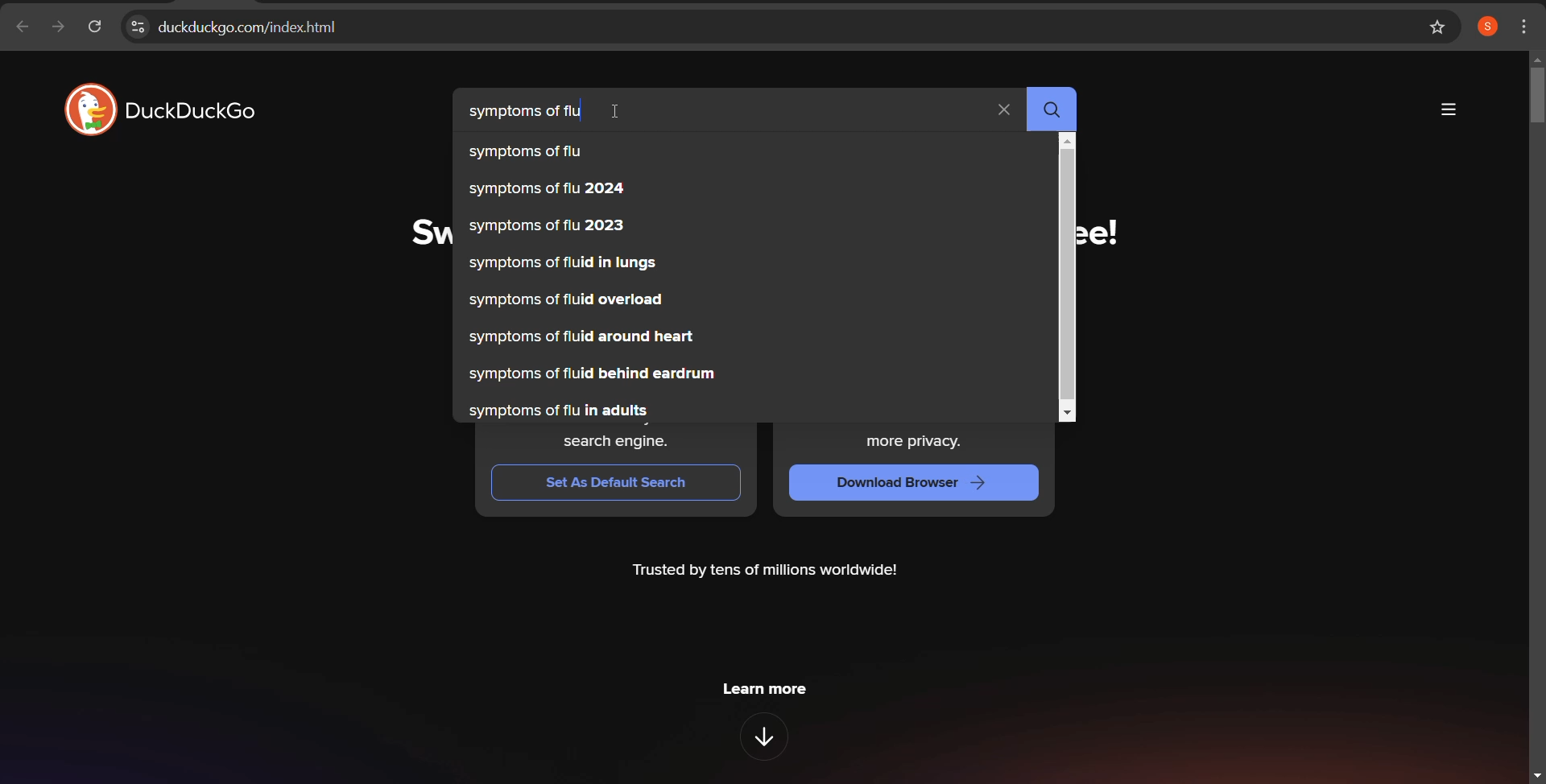  Describe the element at coordinates (771, 739) in the screenshot. I see `downward` at that location.